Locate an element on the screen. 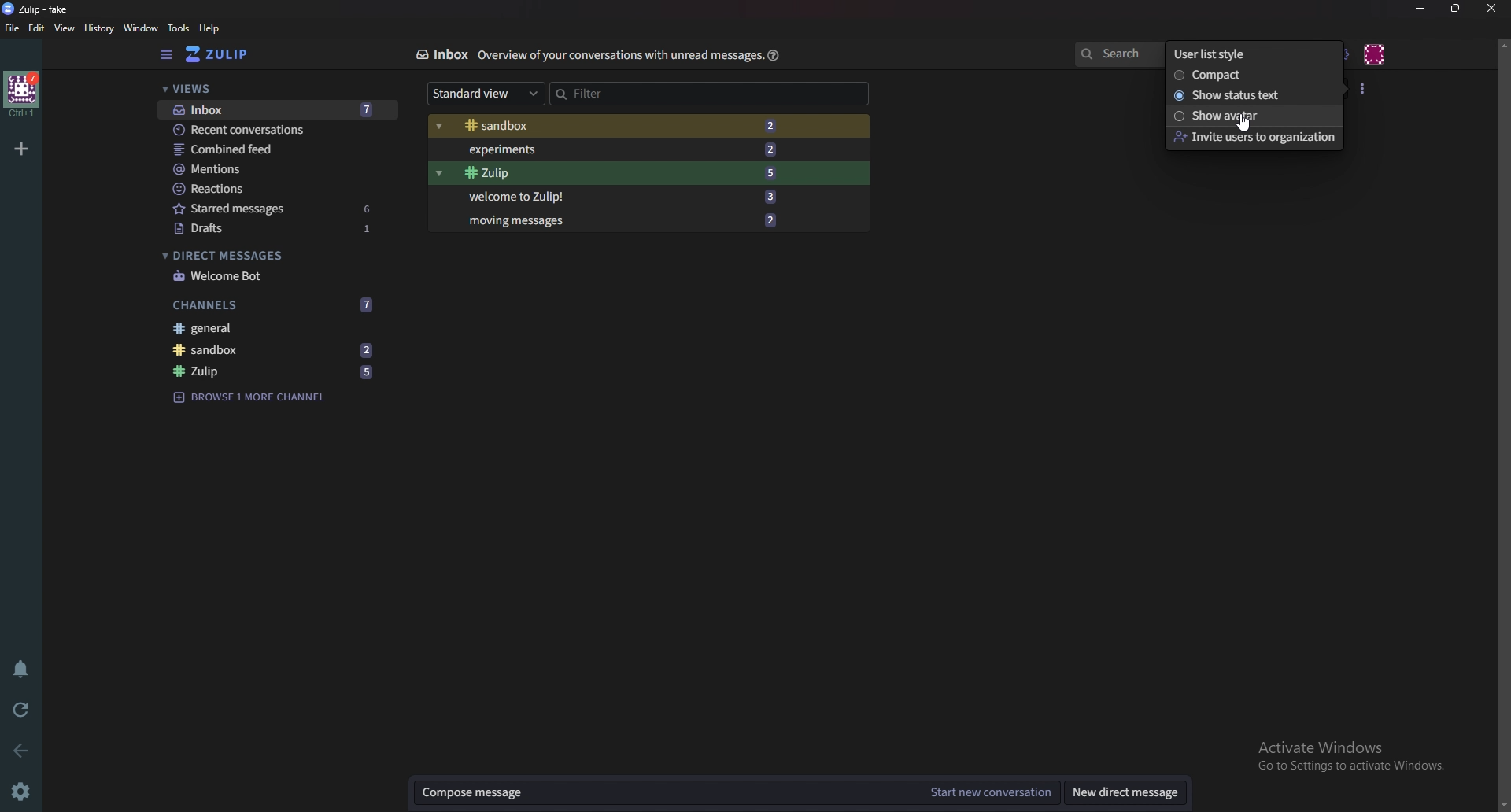 This screenshot has height=812, width=1511. Start new conversation is located at coordinates (988, 793).